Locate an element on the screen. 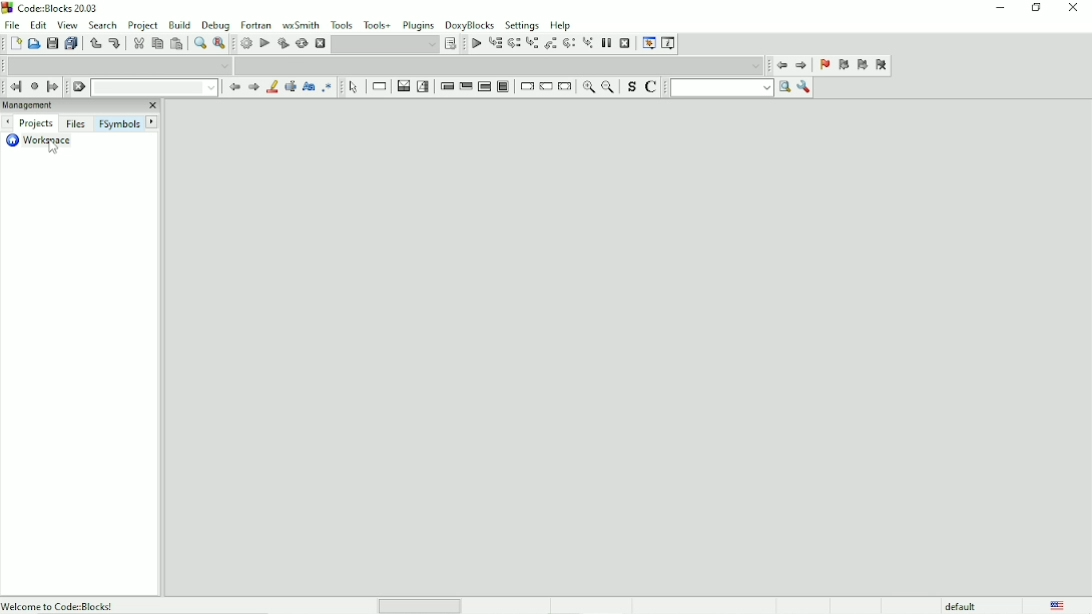 This screenshot has height=614, width=1092. Clear is located at coordinates (79, 87).